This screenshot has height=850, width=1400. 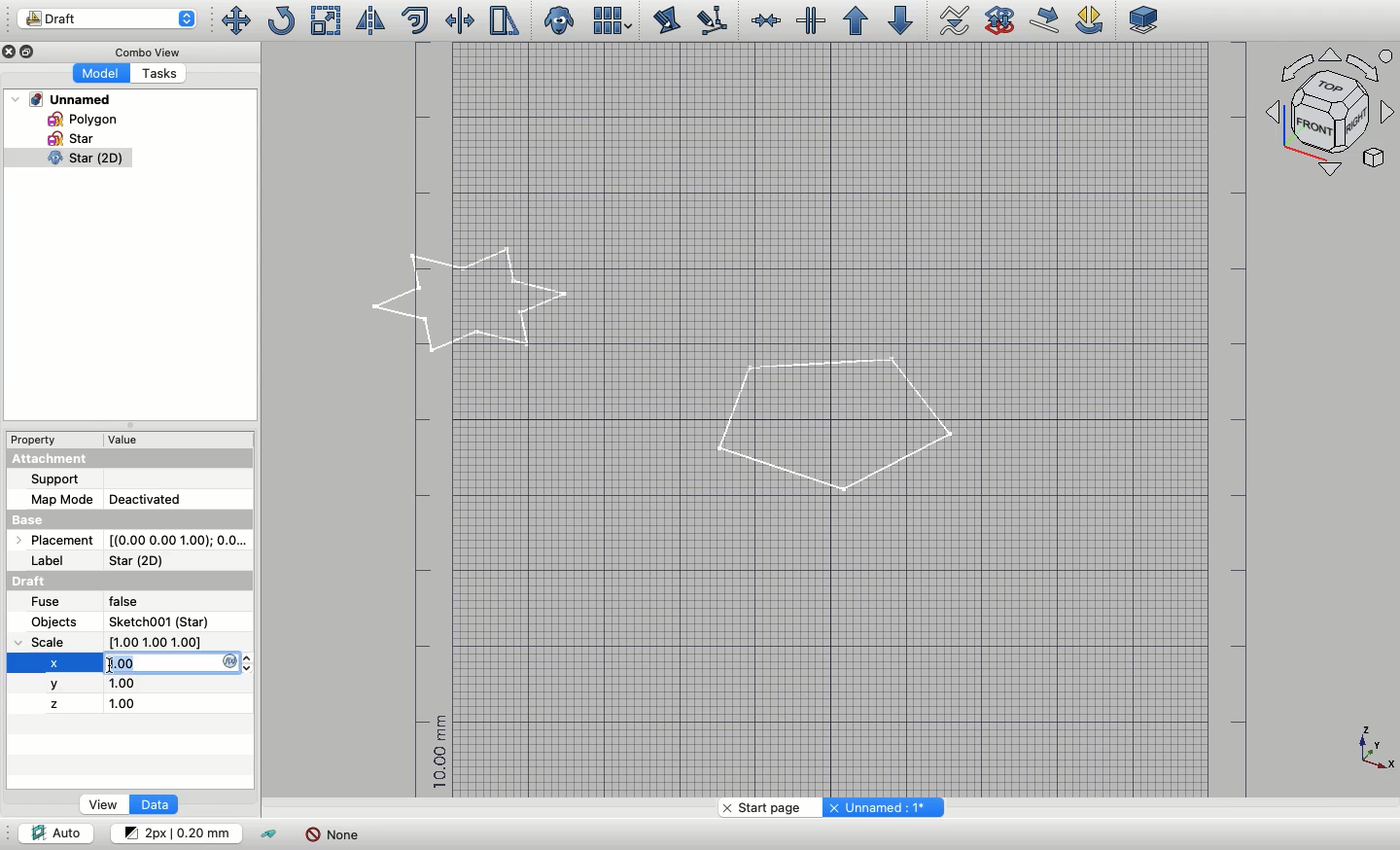 I want to click on Z, so click(x=53, y=705).